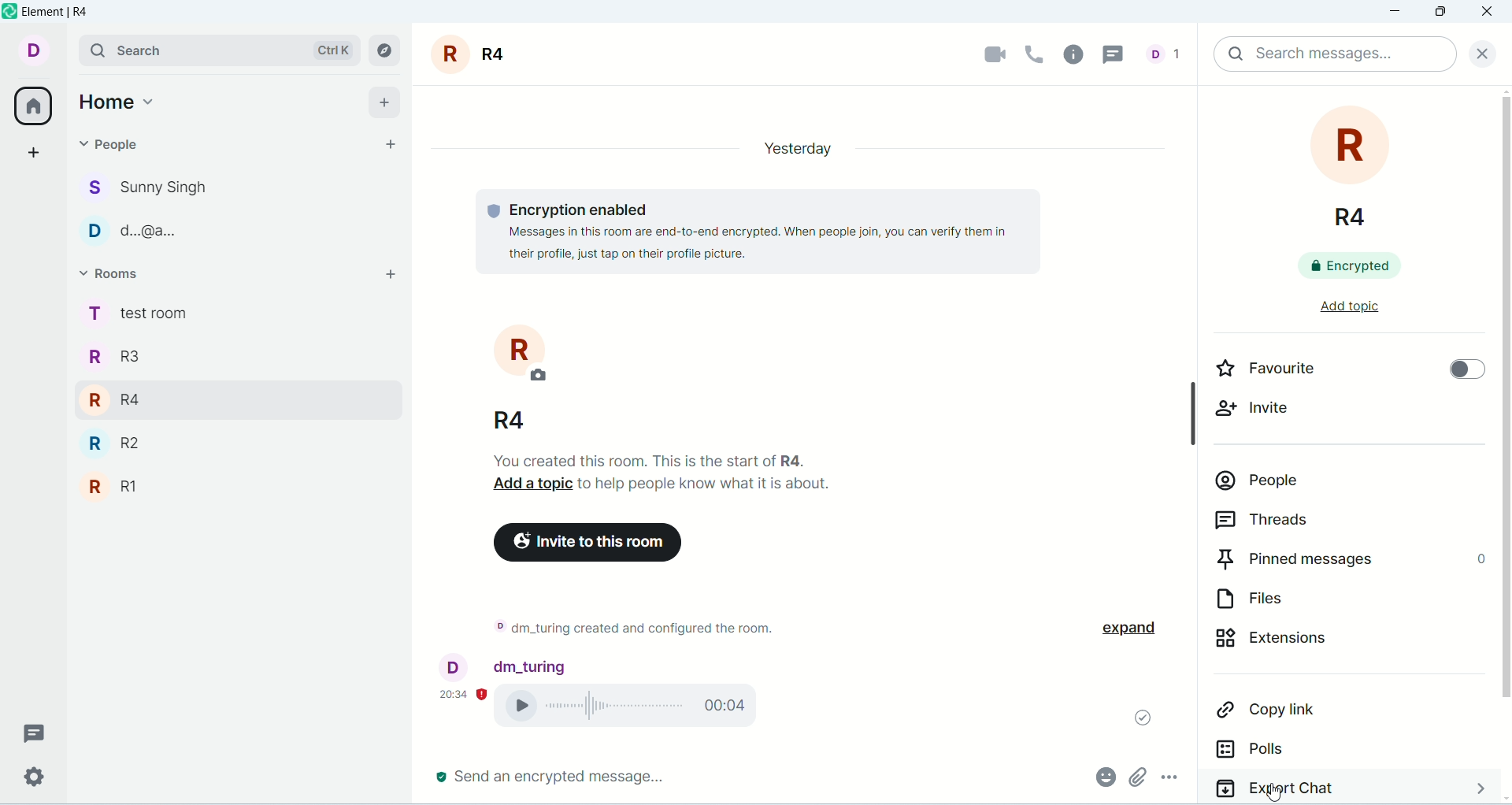 The height and width of the screenshot is (805, 1512). Describe the element at coordinates (32, 777) in the screenshot. I see `settings` at that location.